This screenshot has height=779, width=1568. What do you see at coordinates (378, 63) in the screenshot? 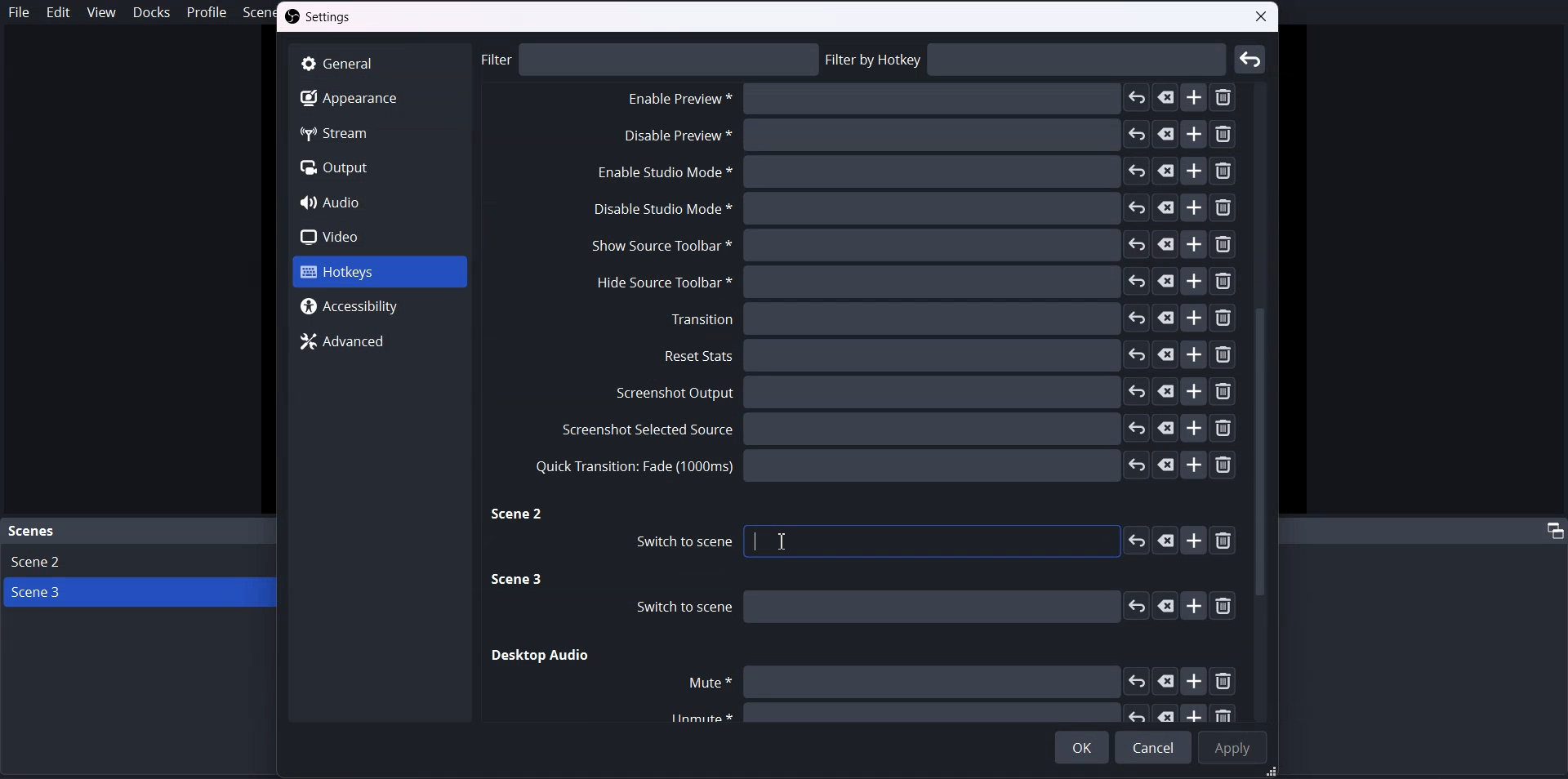
I see `General` at bounding box center [378, 63].